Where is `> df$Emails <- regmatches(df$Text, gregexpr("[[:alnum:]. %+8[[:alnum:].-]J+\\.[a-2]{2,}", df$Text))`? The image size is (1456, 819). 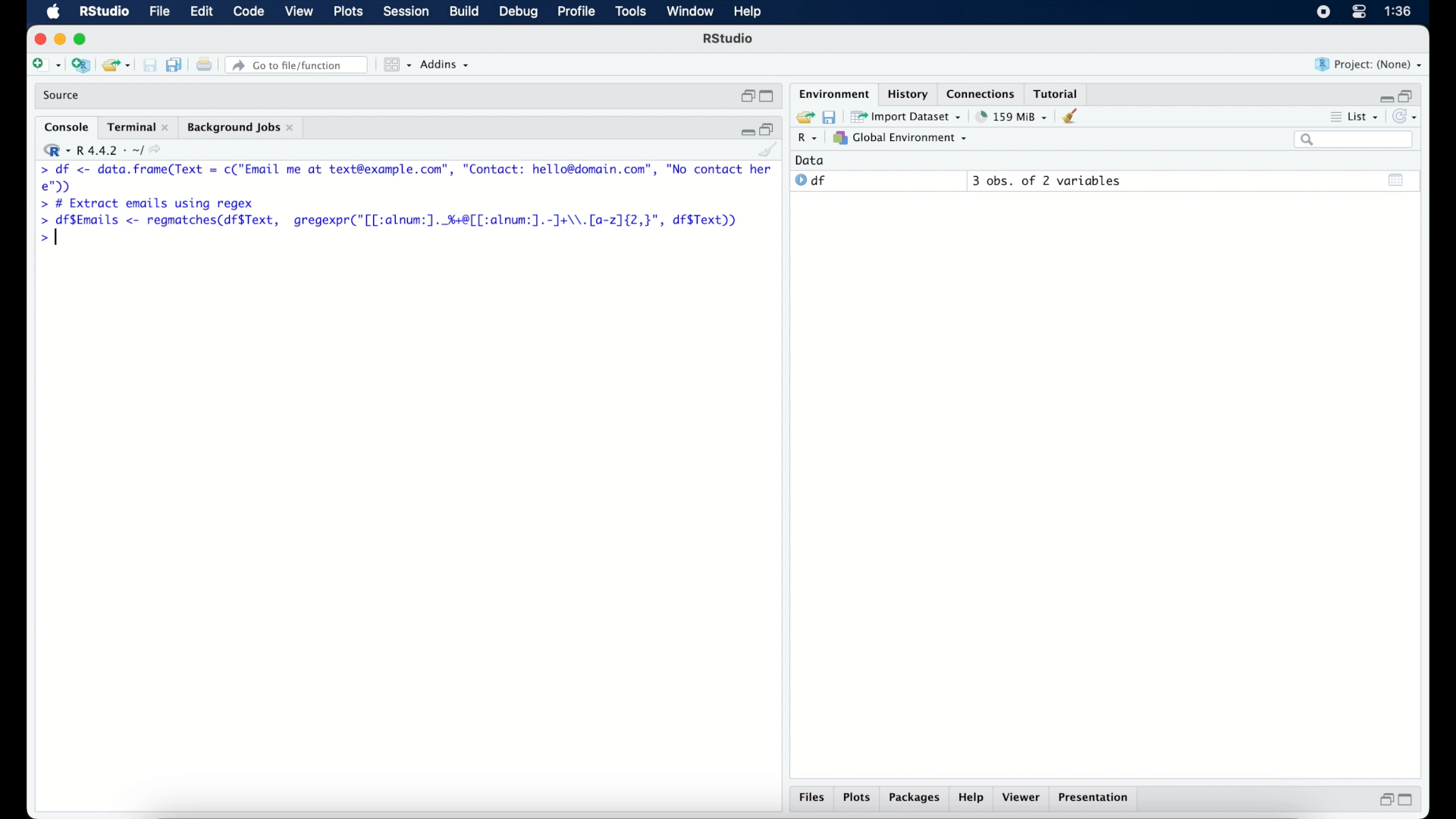 > df$Emails <- regmatches(df$Text, gregexpr("[[:alnum:]. %+8[[:alnum:].-]J+\\.[a-2]{2,}", df$Text)) is located at coordinates (397, 221).